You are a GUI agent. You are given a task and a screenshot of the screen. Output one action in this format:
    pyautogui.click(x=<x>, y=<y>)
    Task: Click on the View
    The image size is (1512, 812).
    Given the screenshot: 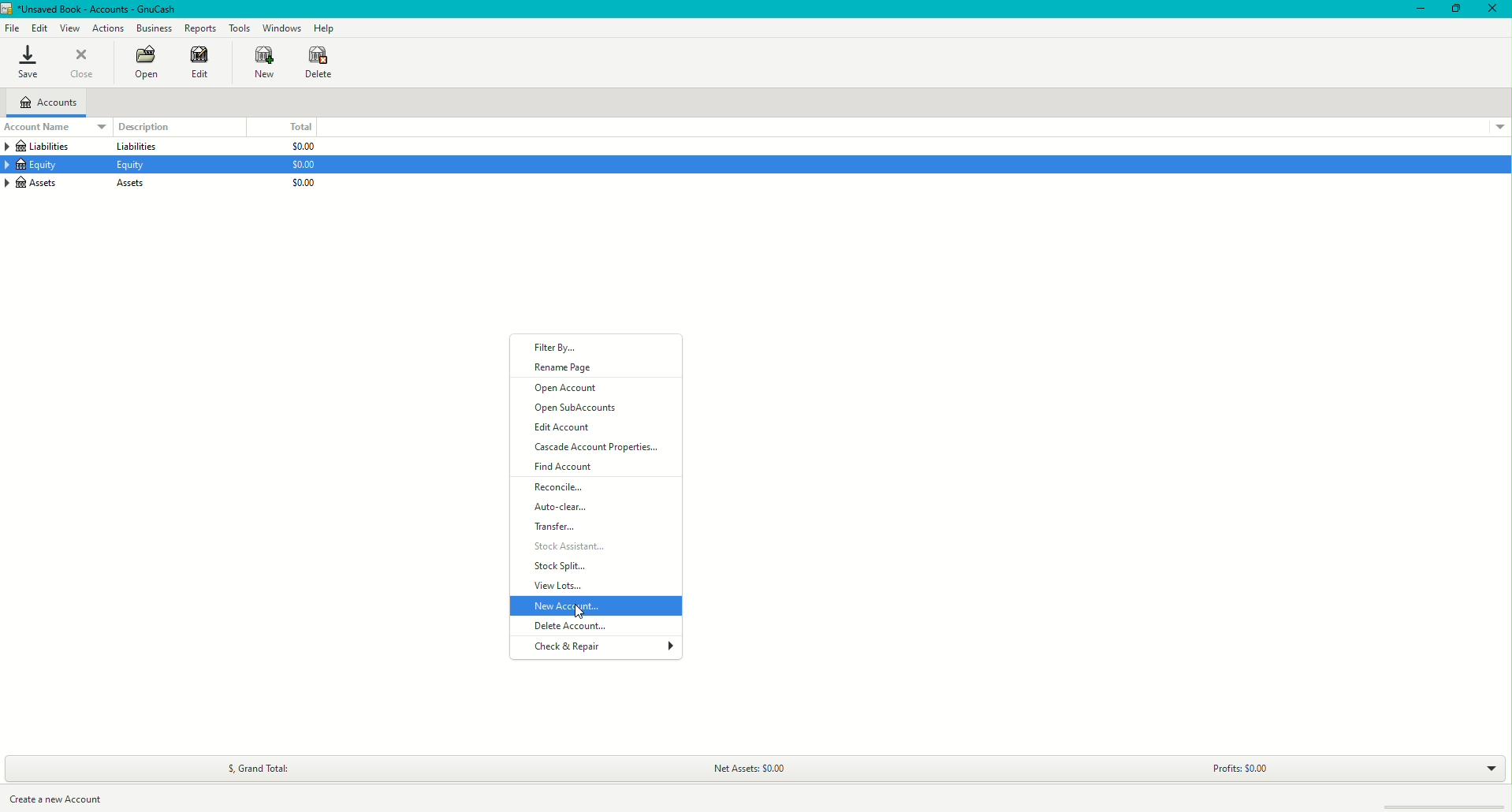 What is the action you would take?
    pyautogui.click(x=69, y=27)
    